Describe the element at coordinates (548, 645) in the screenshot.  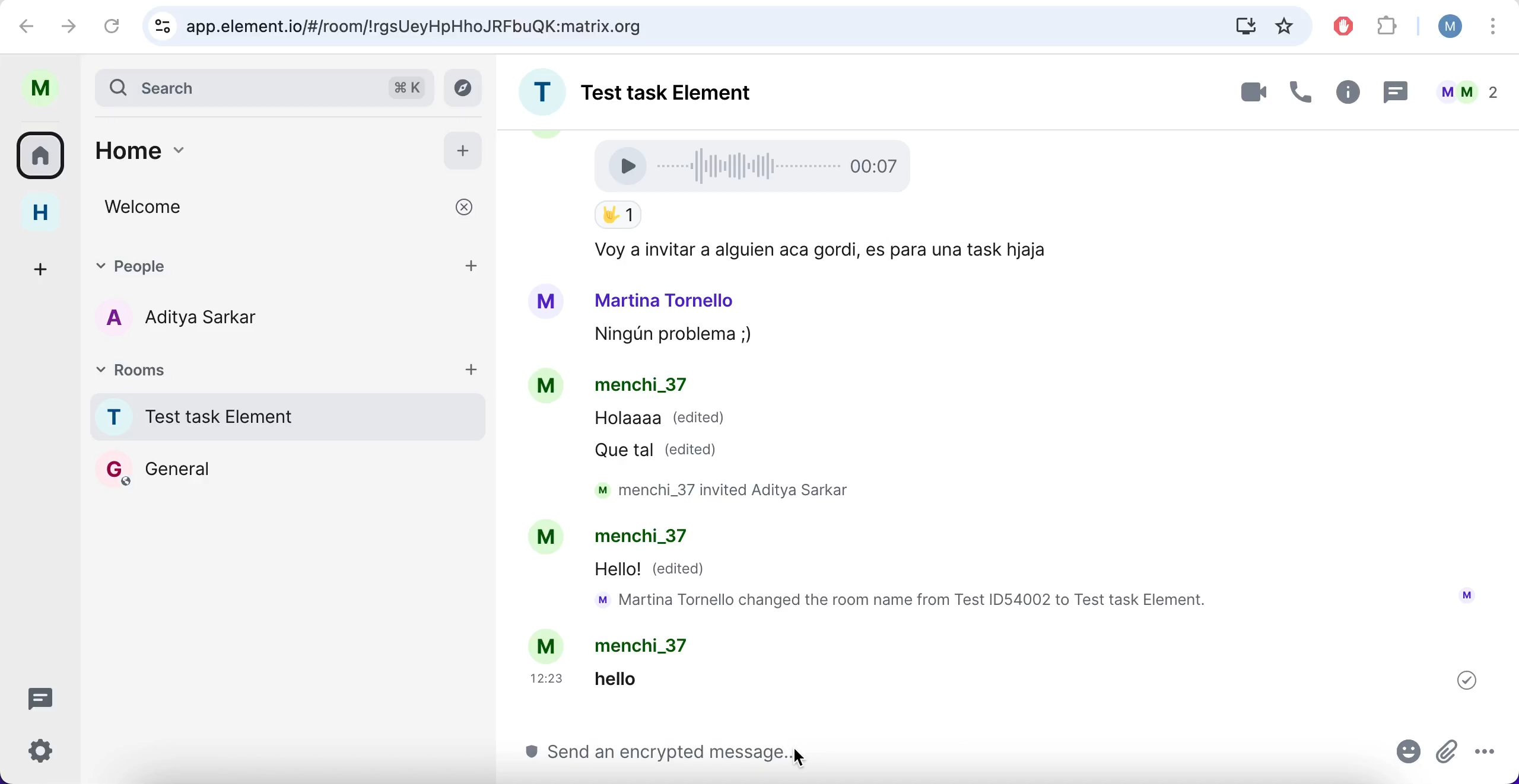
I see `Avatar` at that location.